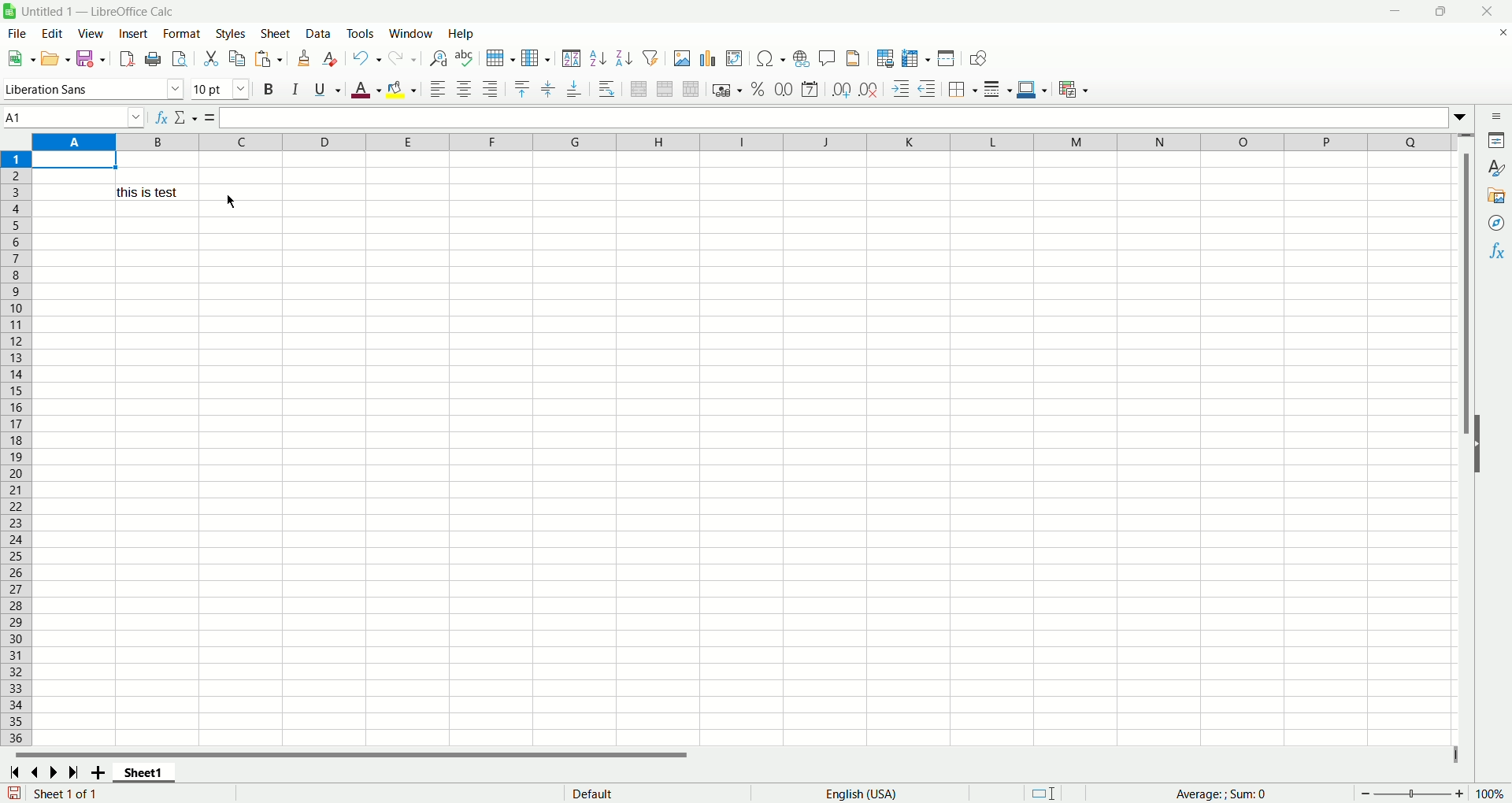  What do you see at coordinates (406, 56) in the screenshot?
I see `redo` at bounding box center [406, 56].